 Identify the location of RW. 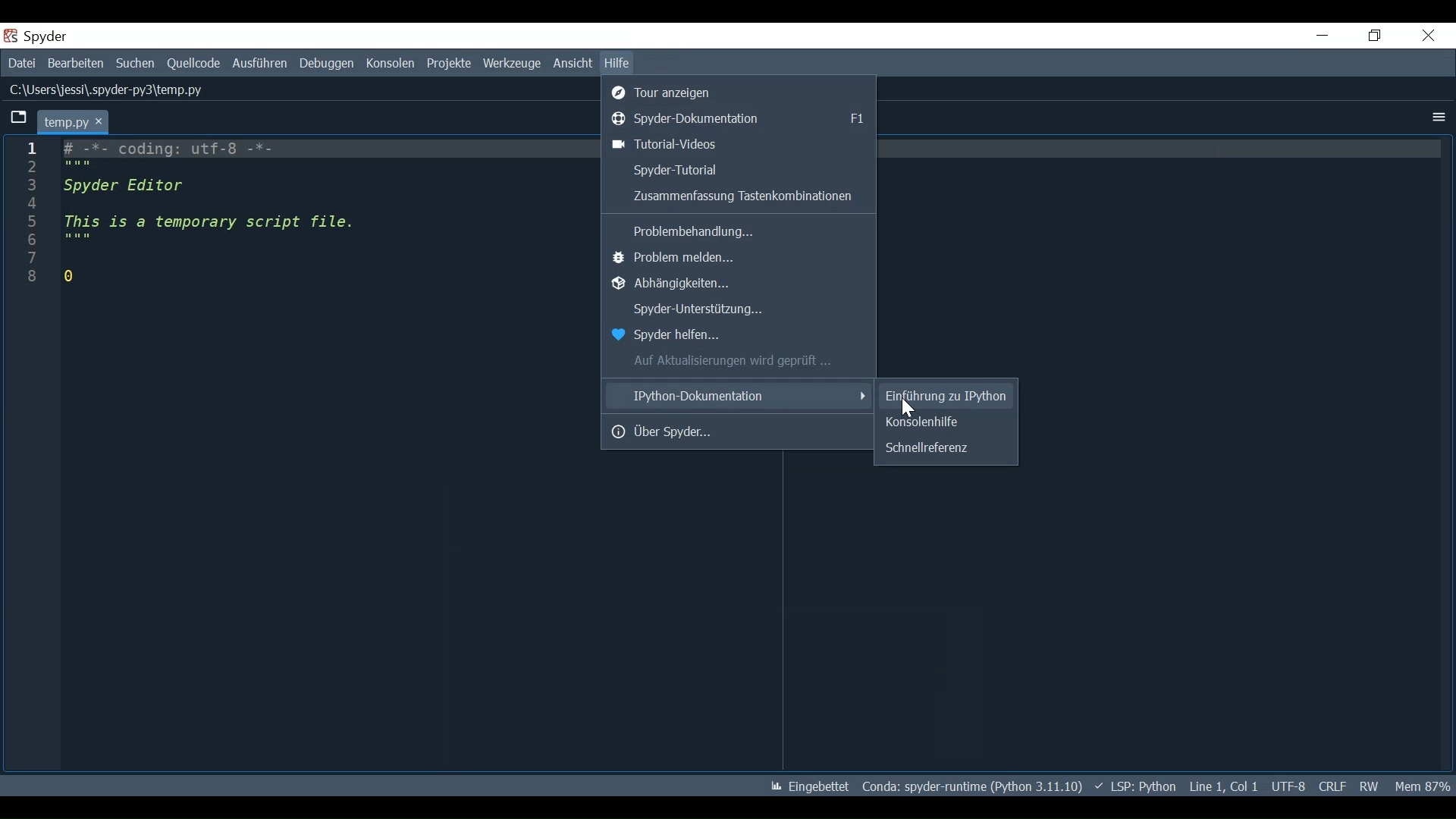
(1367, 786).